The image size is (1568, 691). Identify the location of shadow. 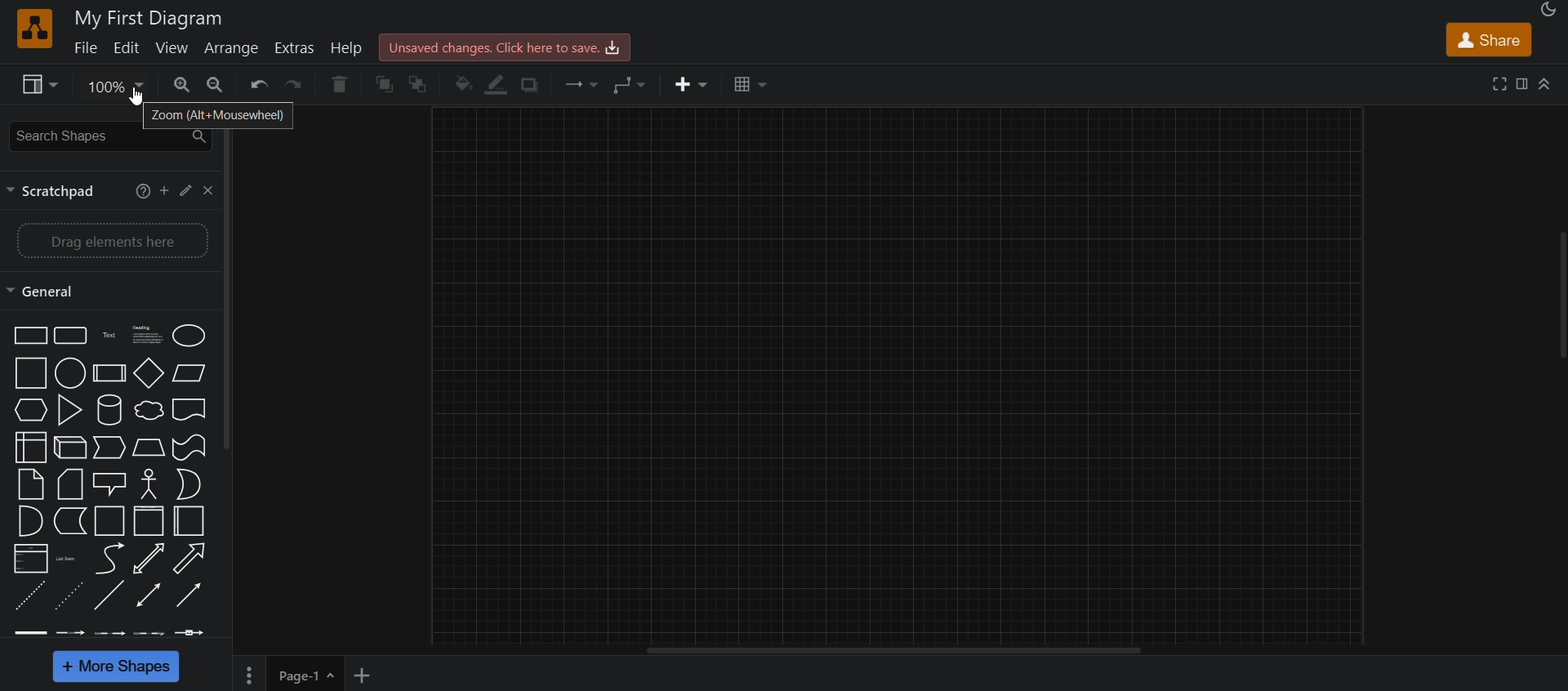
(542, 84).